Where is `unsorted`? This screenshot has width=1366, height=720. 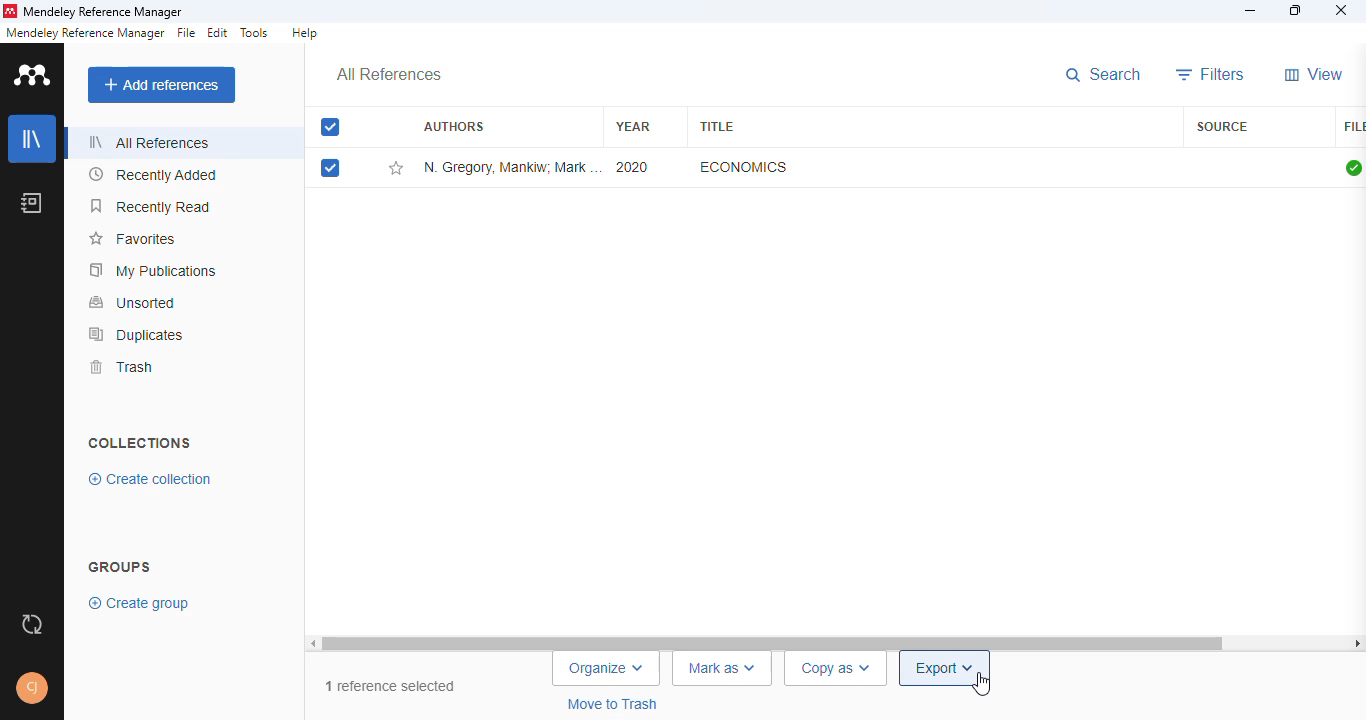 unsorted is located at coordinates (134, 302).